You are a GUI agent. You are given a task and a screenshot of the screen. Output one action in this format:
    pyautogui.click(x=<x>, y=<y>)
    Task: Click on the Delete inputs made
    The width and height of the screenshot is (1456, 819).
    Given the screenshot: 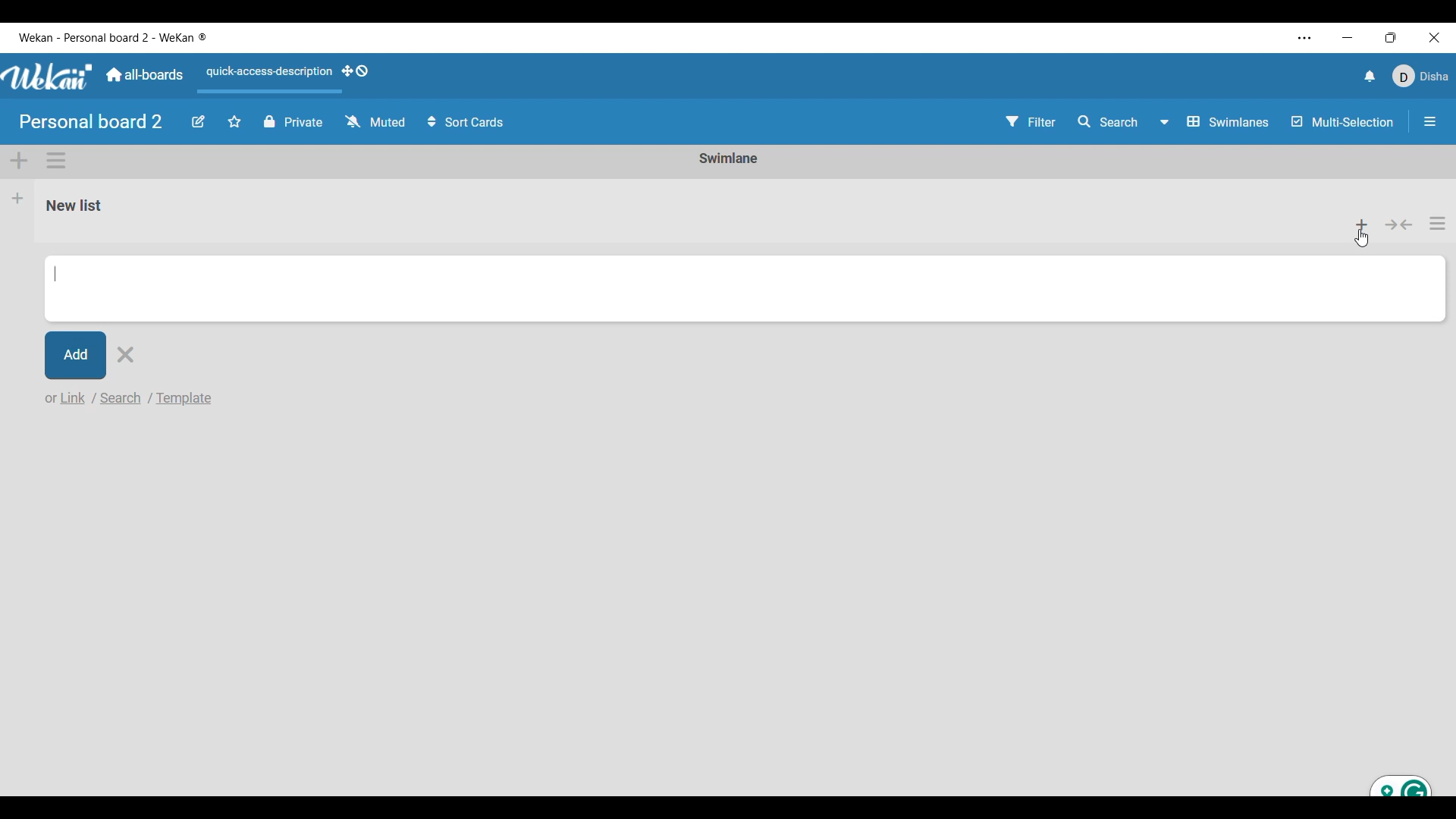 What is the action you would take?
    pyautogui.click(x=125, y=355)
    